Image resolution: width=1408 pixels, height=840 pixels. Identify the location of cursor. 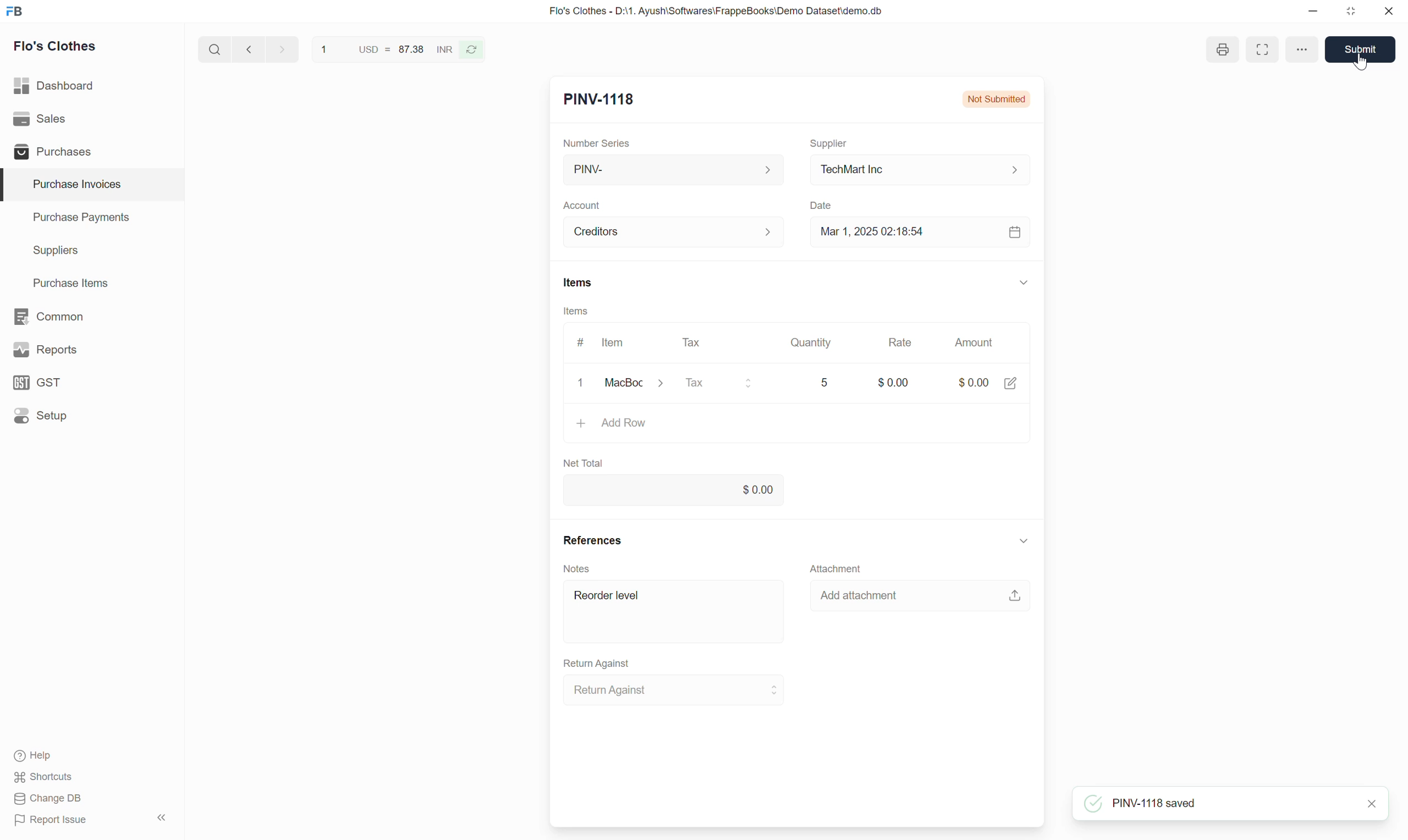
(1362, 61).